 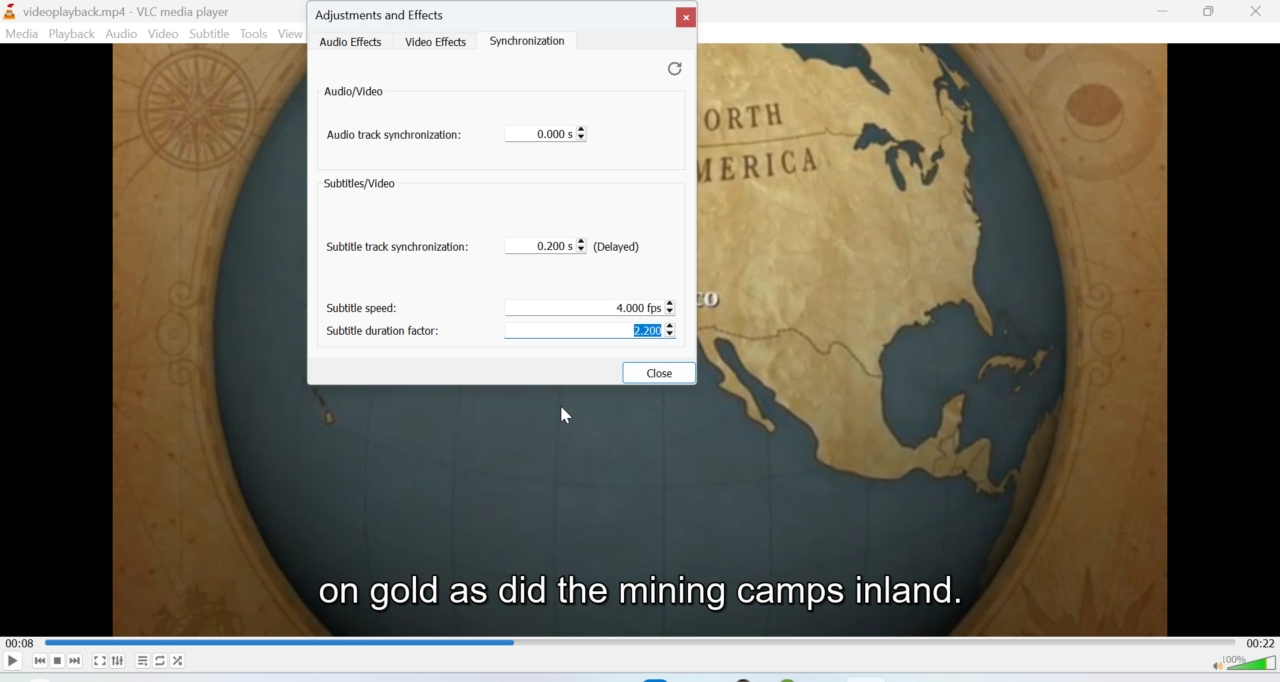 What do you see at coordinates (382, 13) in the screenshot?
I see `Adjustments and Effects` at bounding box center [382, 13].